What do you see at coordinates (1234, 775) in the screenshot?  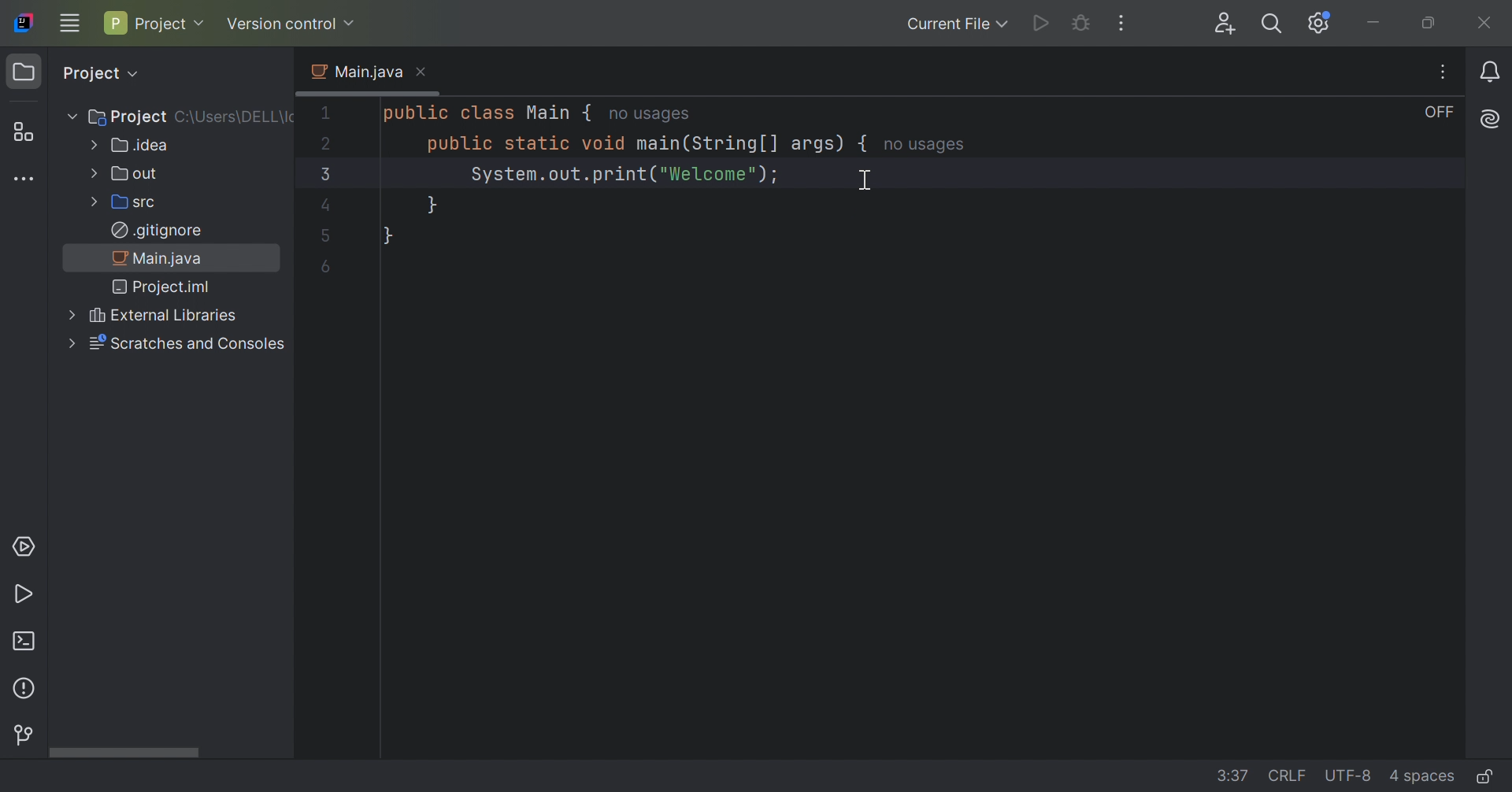 I see `3:37` at bounding box center [1234, 775].